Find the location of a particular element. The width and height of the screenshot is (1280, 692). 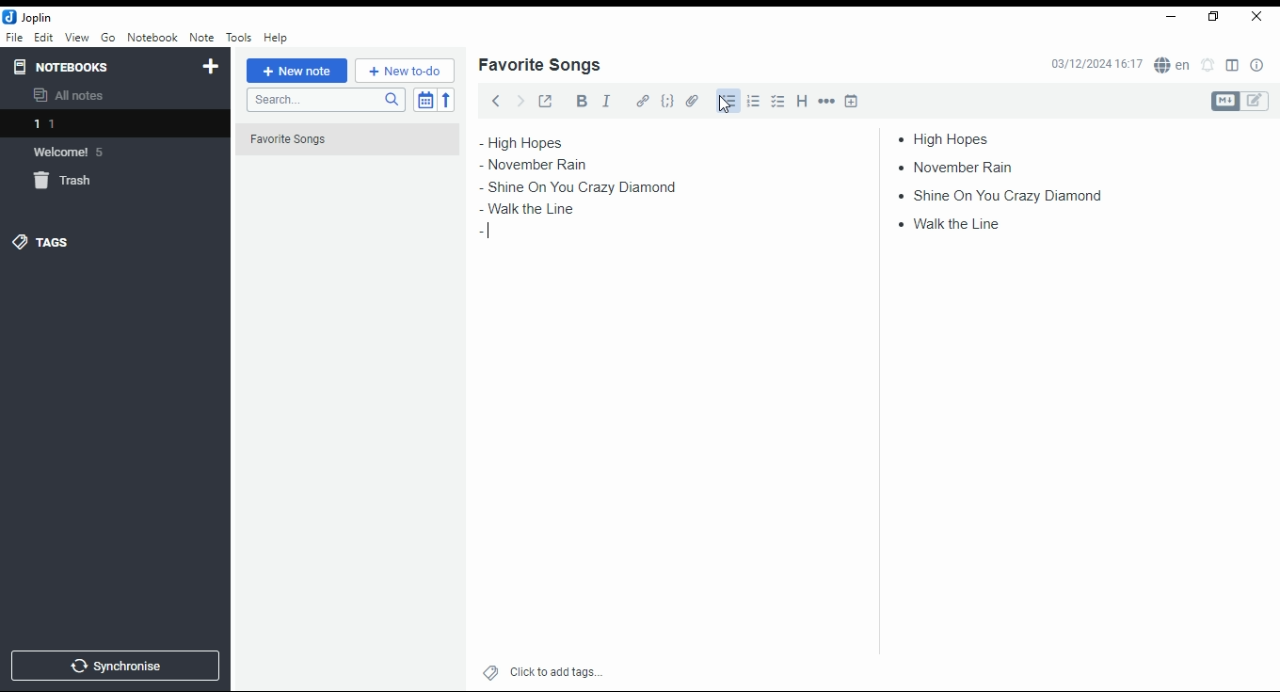

mouse pointer is located at coordinates (725, 104).